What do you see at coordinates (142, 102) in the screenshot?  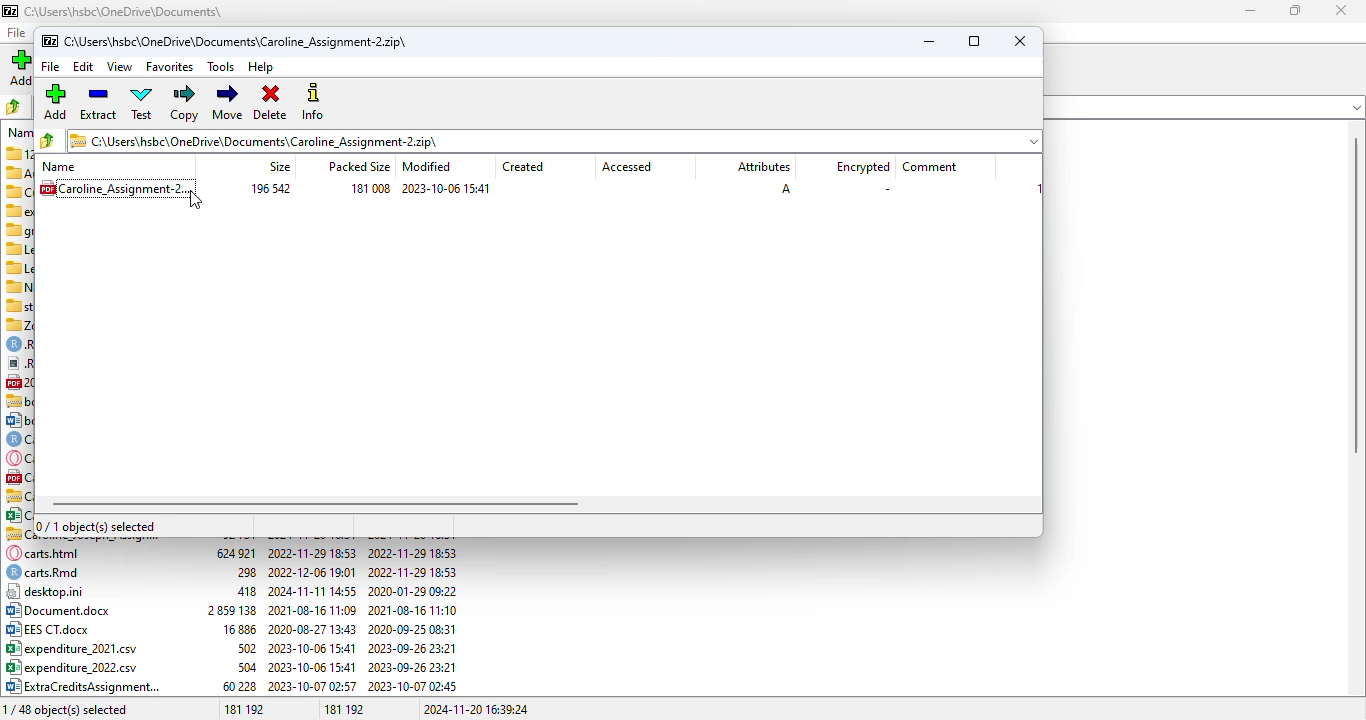 I see `test` at bounding box center [142, 102].